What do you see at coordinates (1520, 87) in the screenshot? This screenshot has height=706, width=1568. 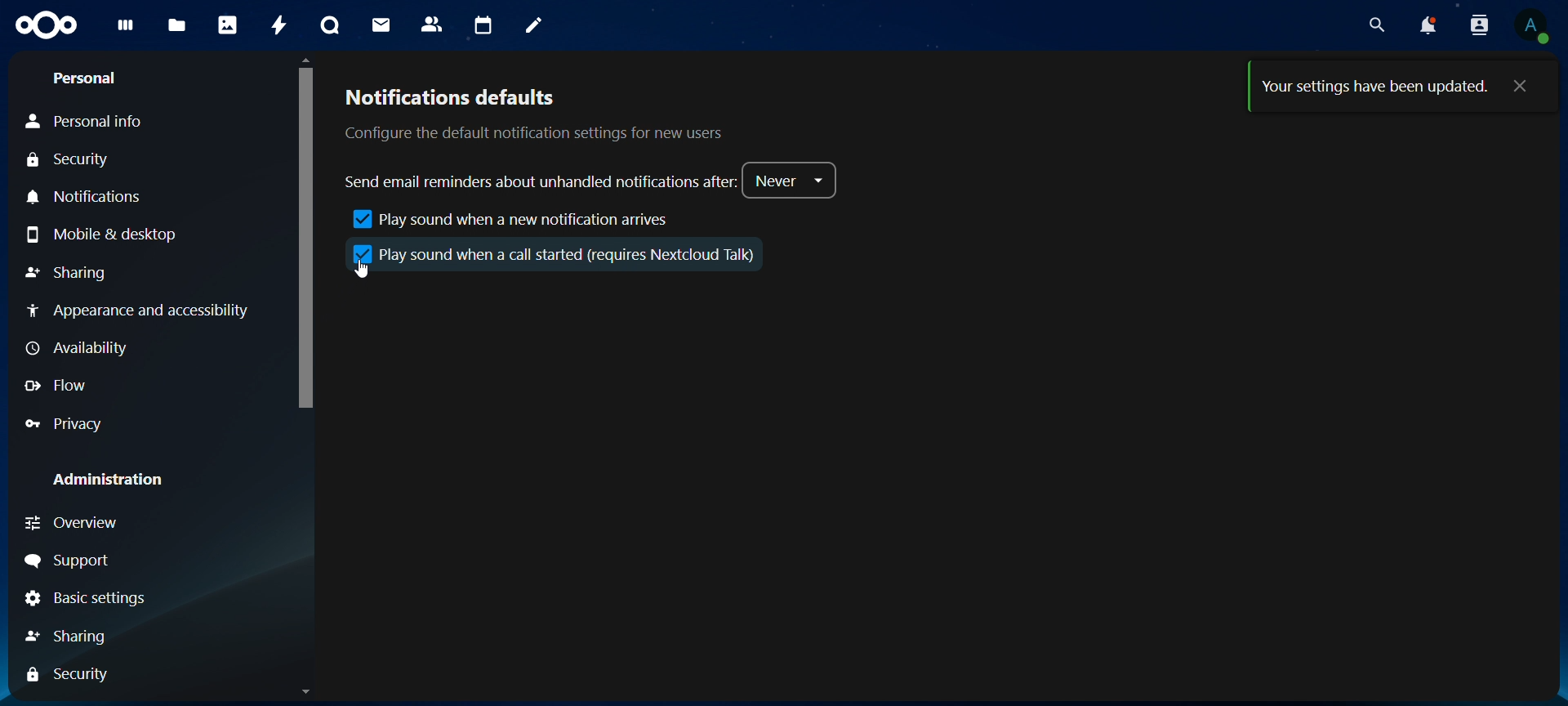 I see `close` at bounding box center [1520, 87].